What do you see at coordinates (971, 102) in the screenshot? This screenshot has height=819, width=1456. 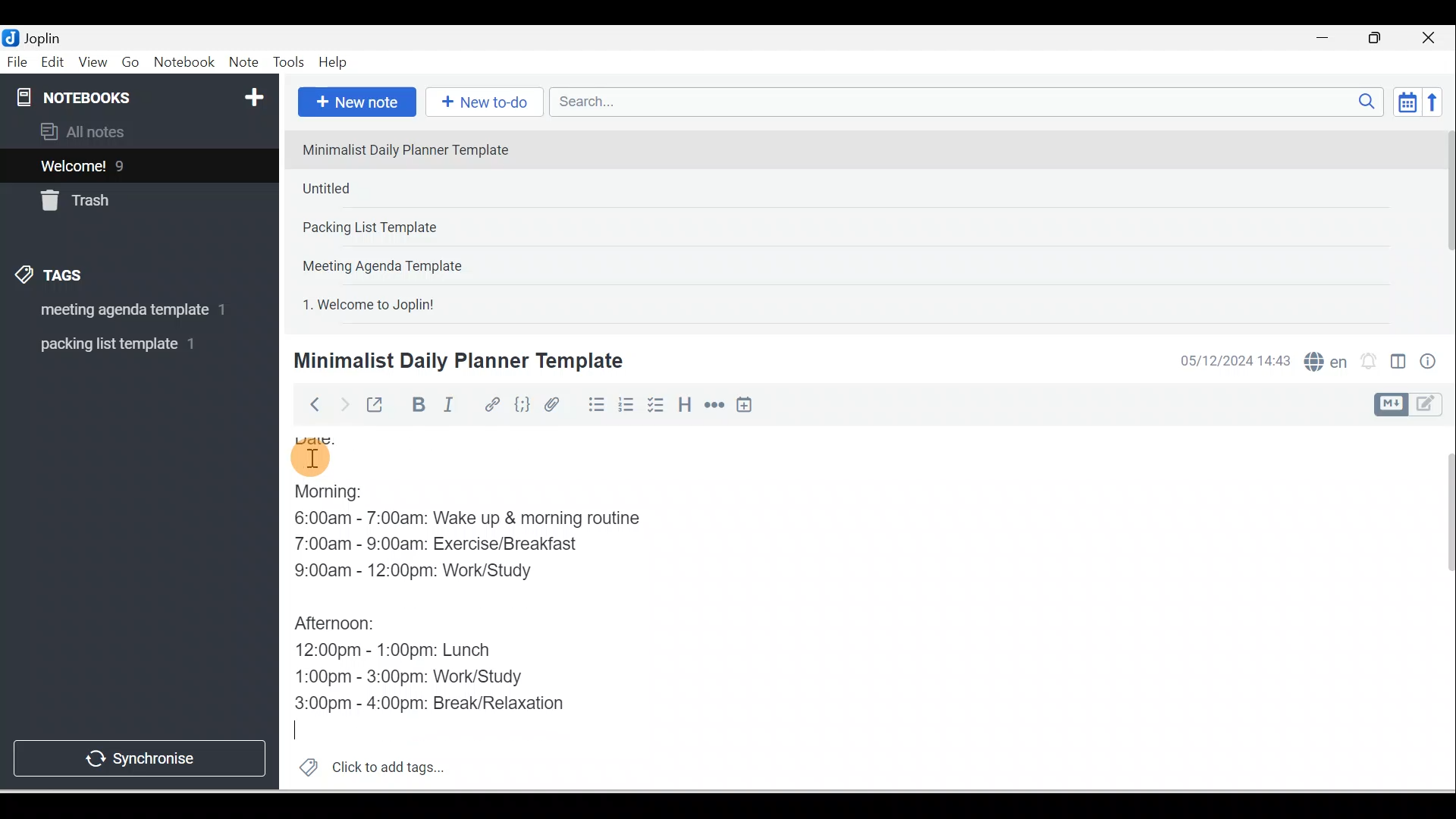 I see `Search bar` at bounding box center [971, 102].